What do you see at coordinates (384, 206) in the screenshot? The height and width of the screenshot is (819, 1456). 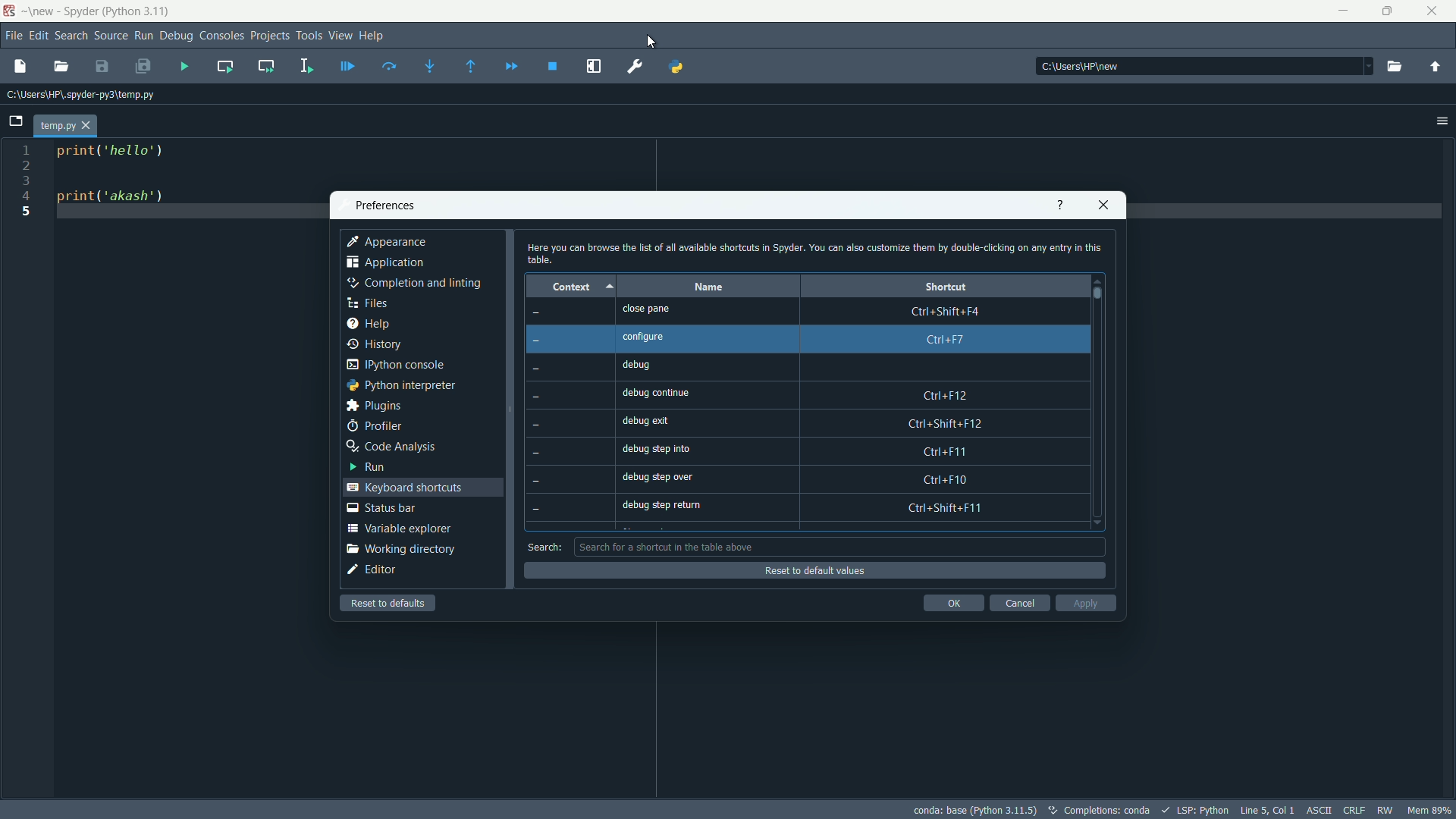 I see `preferences` at bounding box center [384, 206].